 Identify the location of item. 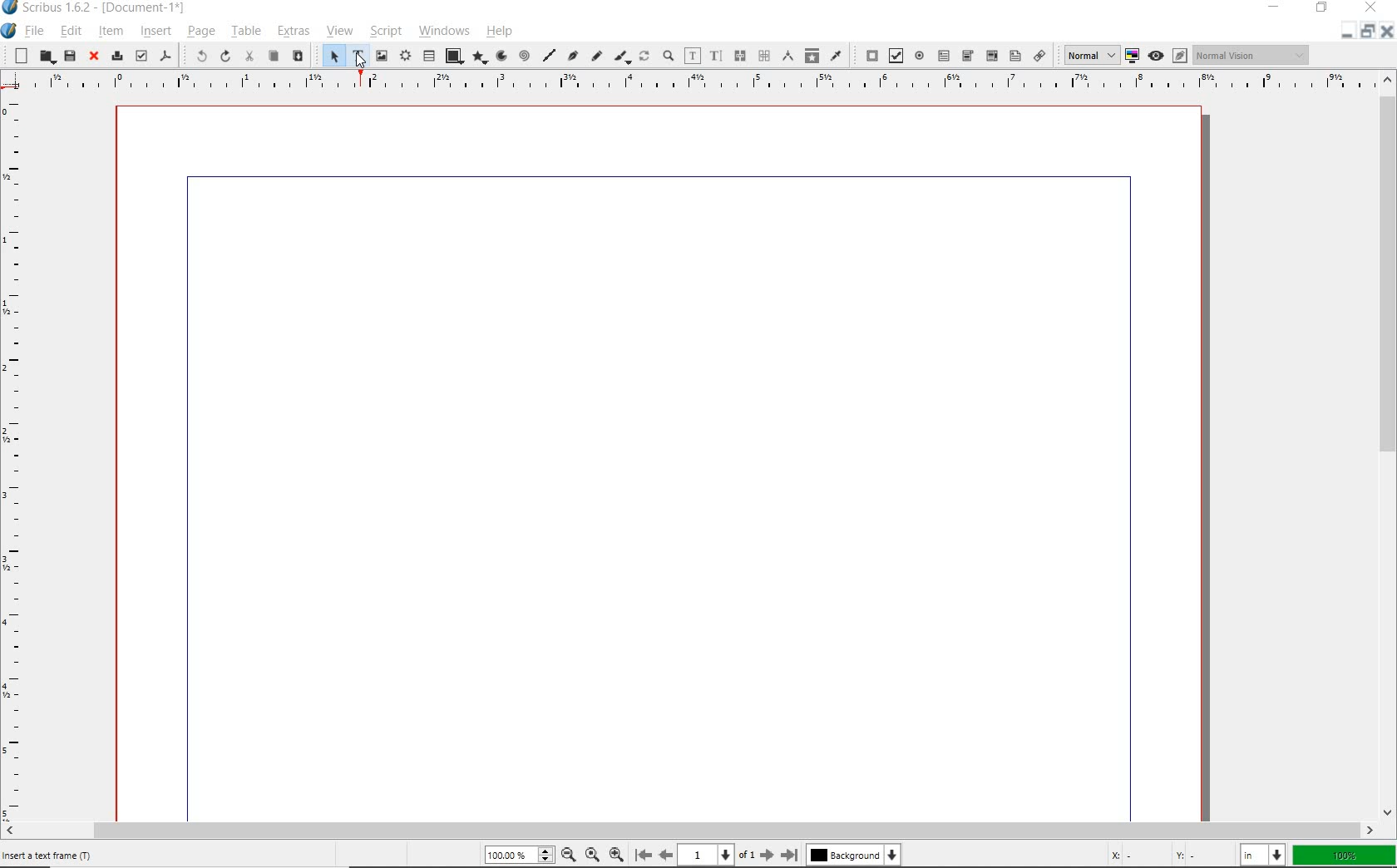
(112, 33).